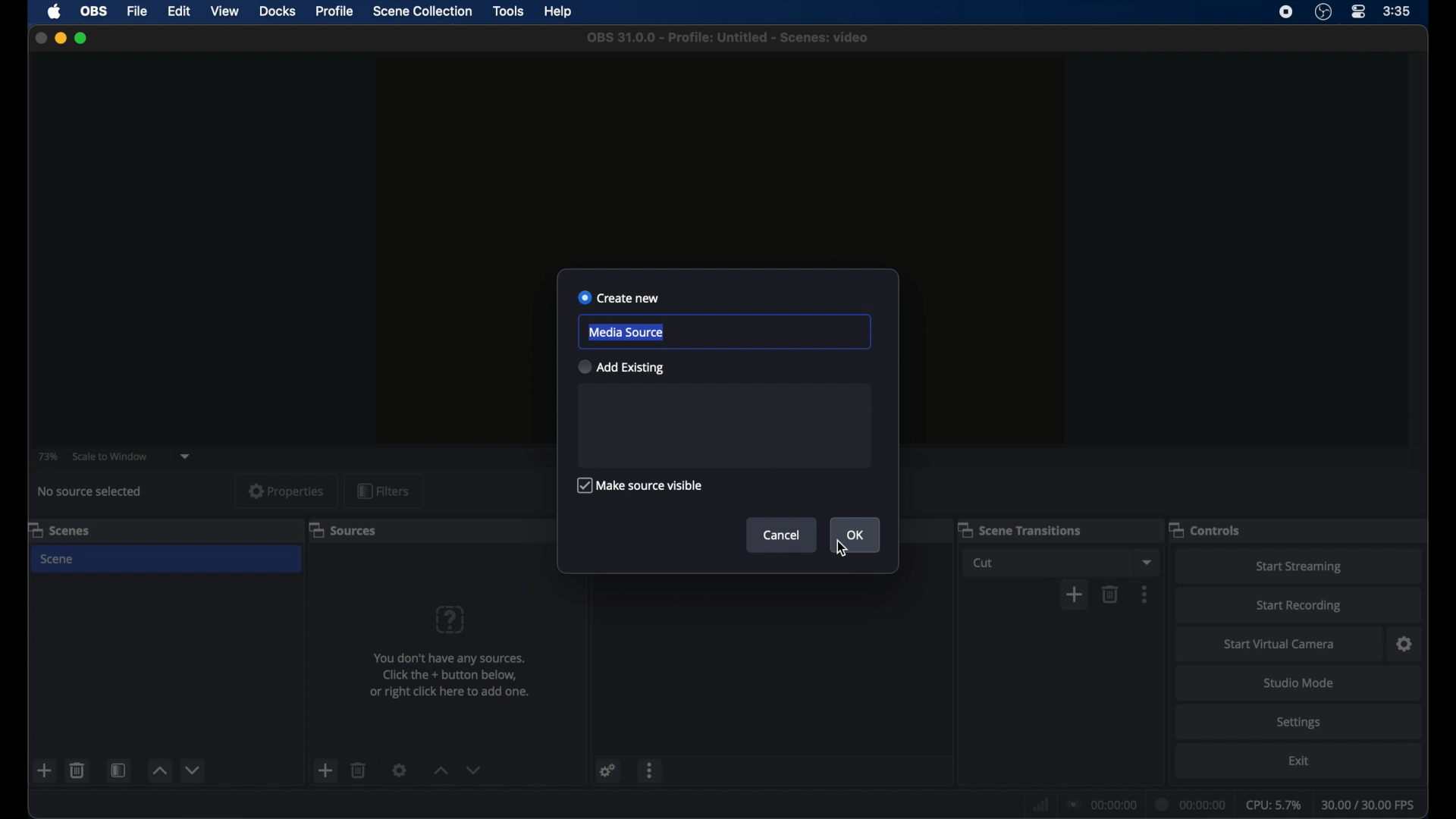  I want to click on scale to window, so click(110, 456).